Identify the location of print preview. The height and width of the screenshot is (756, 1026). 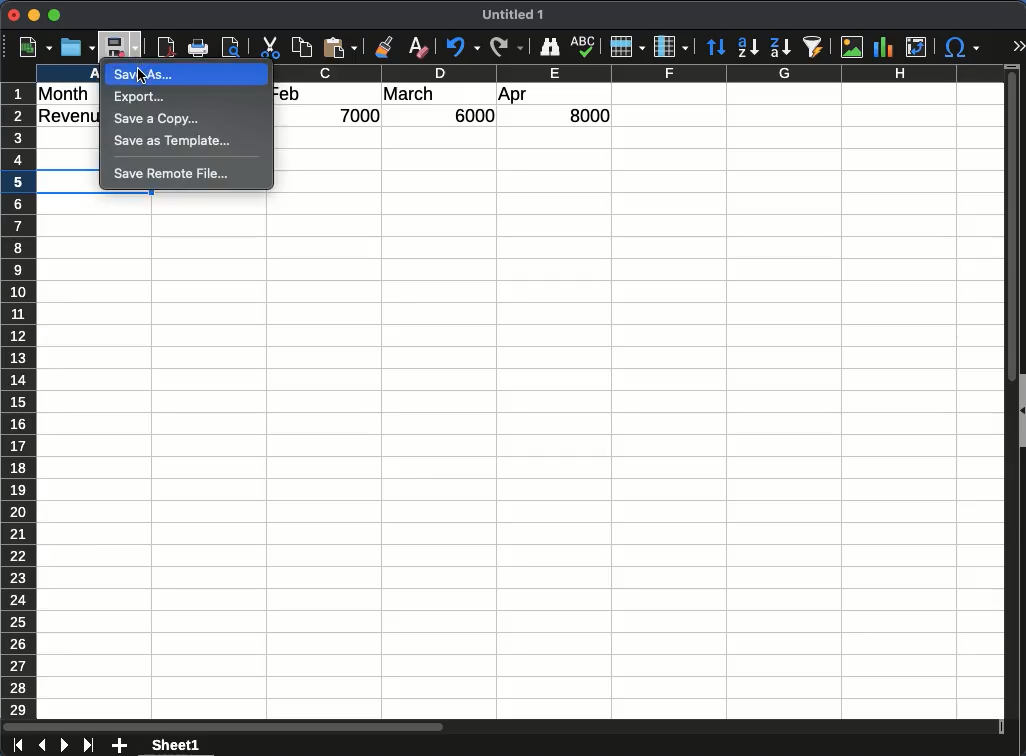
(233, 49).